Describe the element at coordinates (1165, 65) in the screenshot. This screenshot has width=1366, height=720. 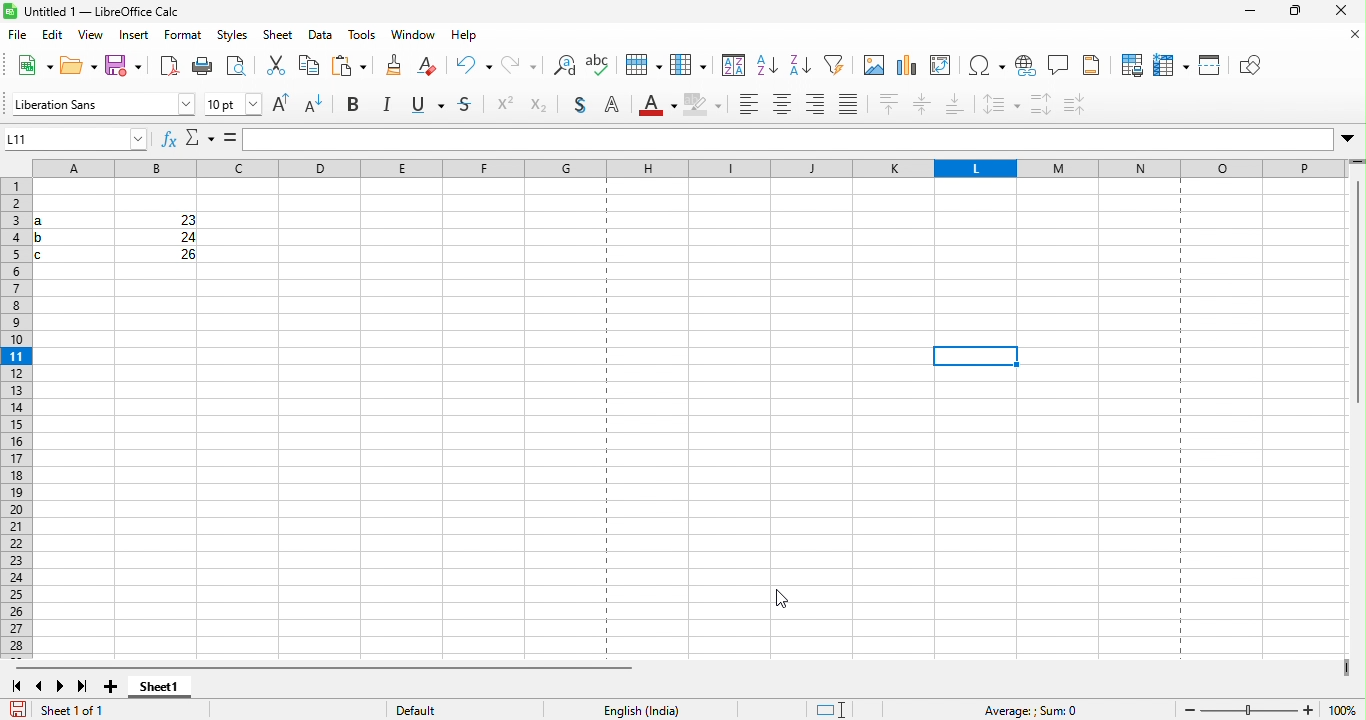
I see `freeze row and column` at that location.